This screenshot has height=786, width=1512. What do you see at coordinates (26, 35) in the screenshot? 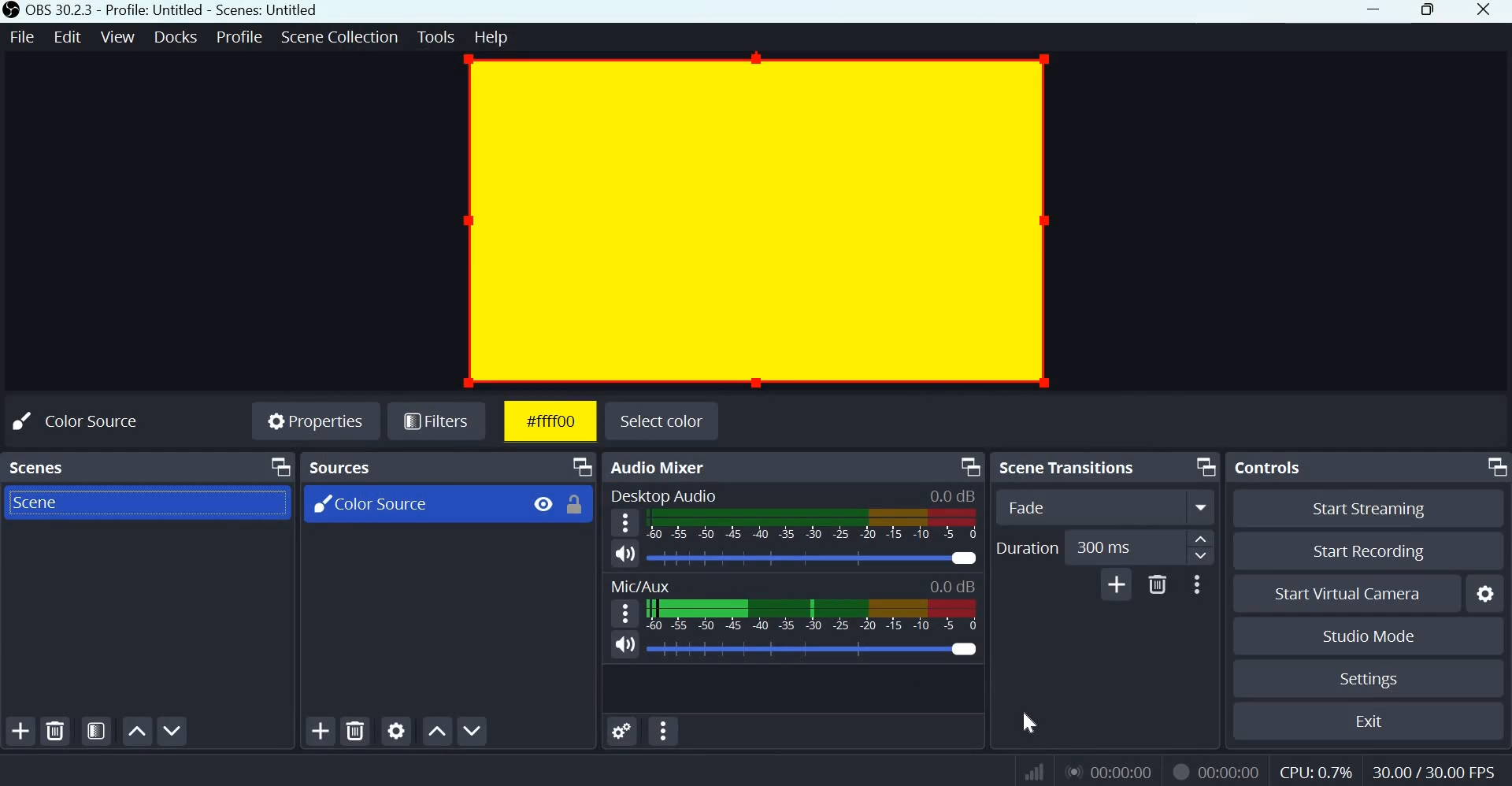
I see `File` at bounding box center [26, 35].